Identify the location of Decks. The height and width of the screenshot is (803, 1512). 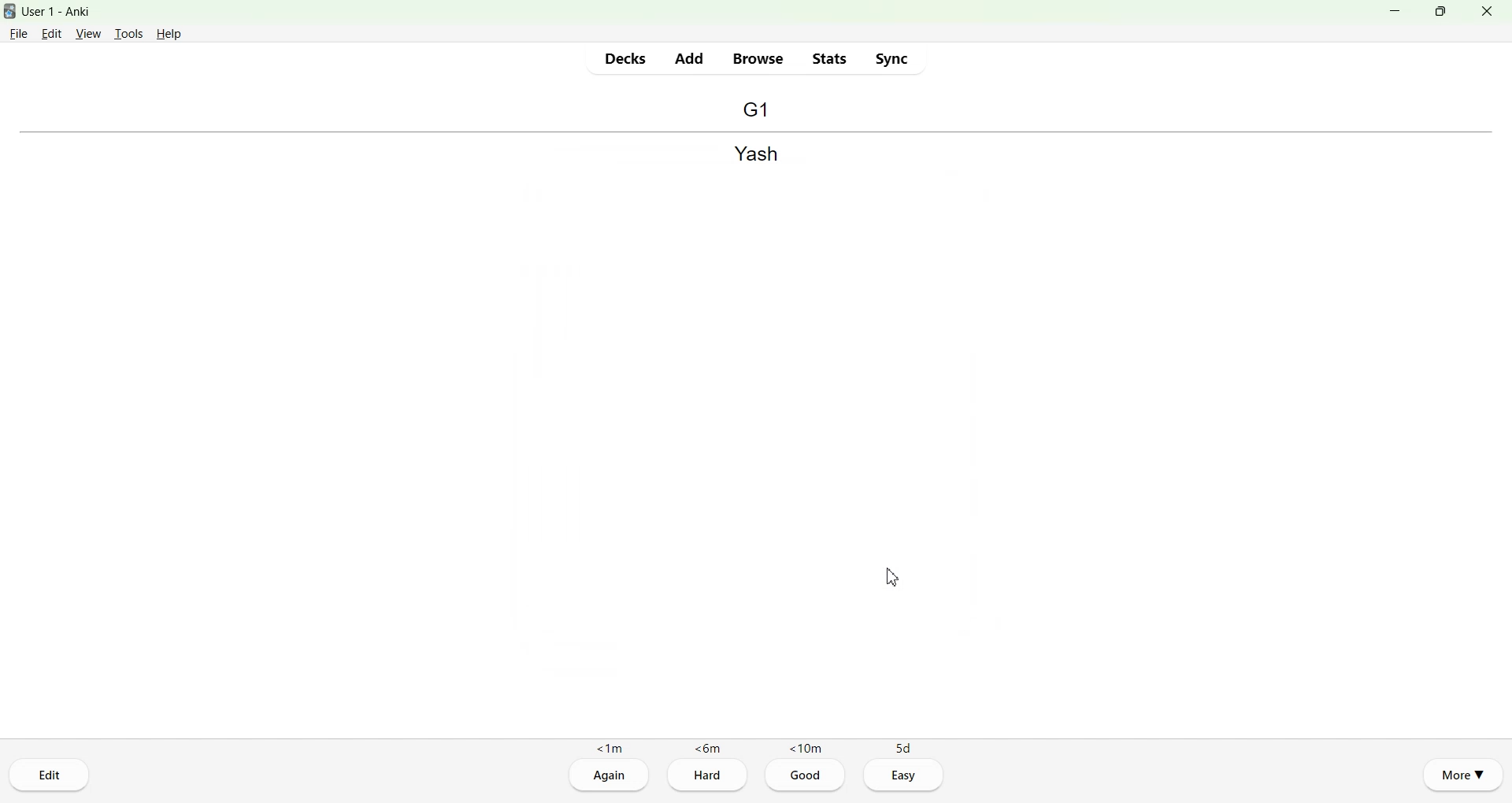
(626, 58).